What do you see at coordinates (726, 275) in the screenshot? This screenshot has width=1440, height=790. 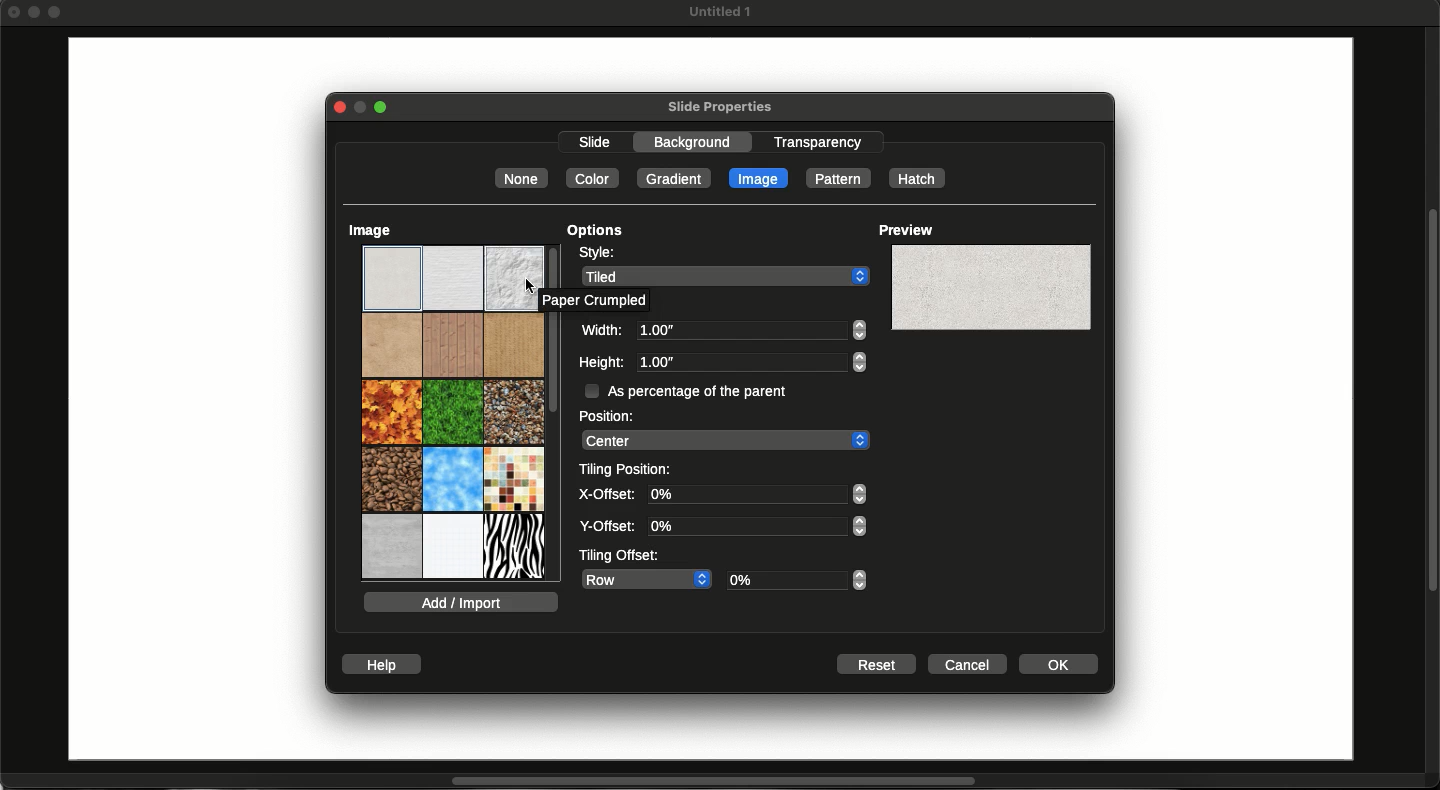 I see `Tiled` at bounding box center [726, 275].